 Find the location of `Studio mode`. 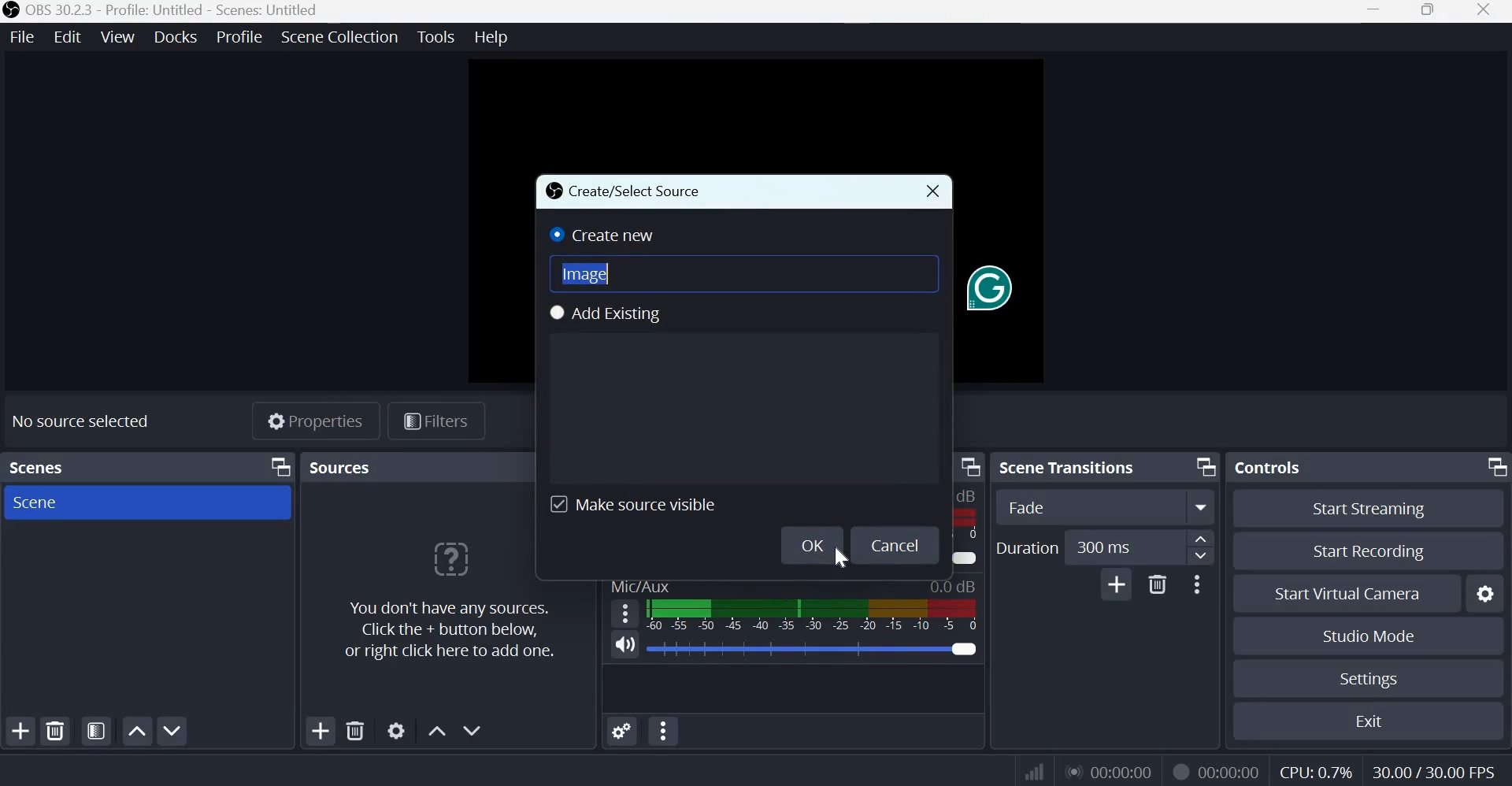

Studio mode is located at coordinates (1369, 635).